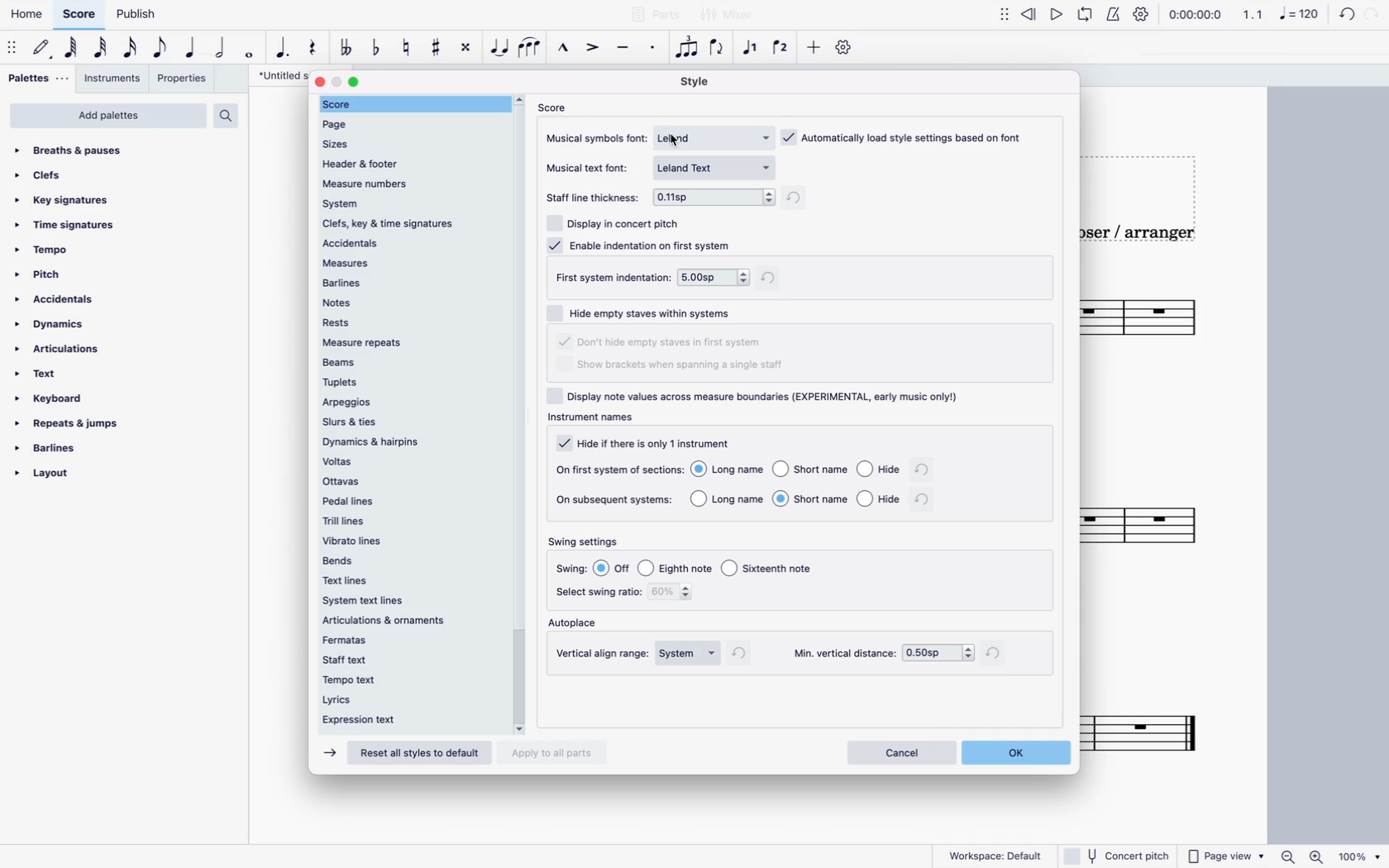 This screenshot has width=1389, height=868. What do you see at coordinates (411, 421) in the screenshot?
I see `slurs & ties` at bounding box center [411, 421].